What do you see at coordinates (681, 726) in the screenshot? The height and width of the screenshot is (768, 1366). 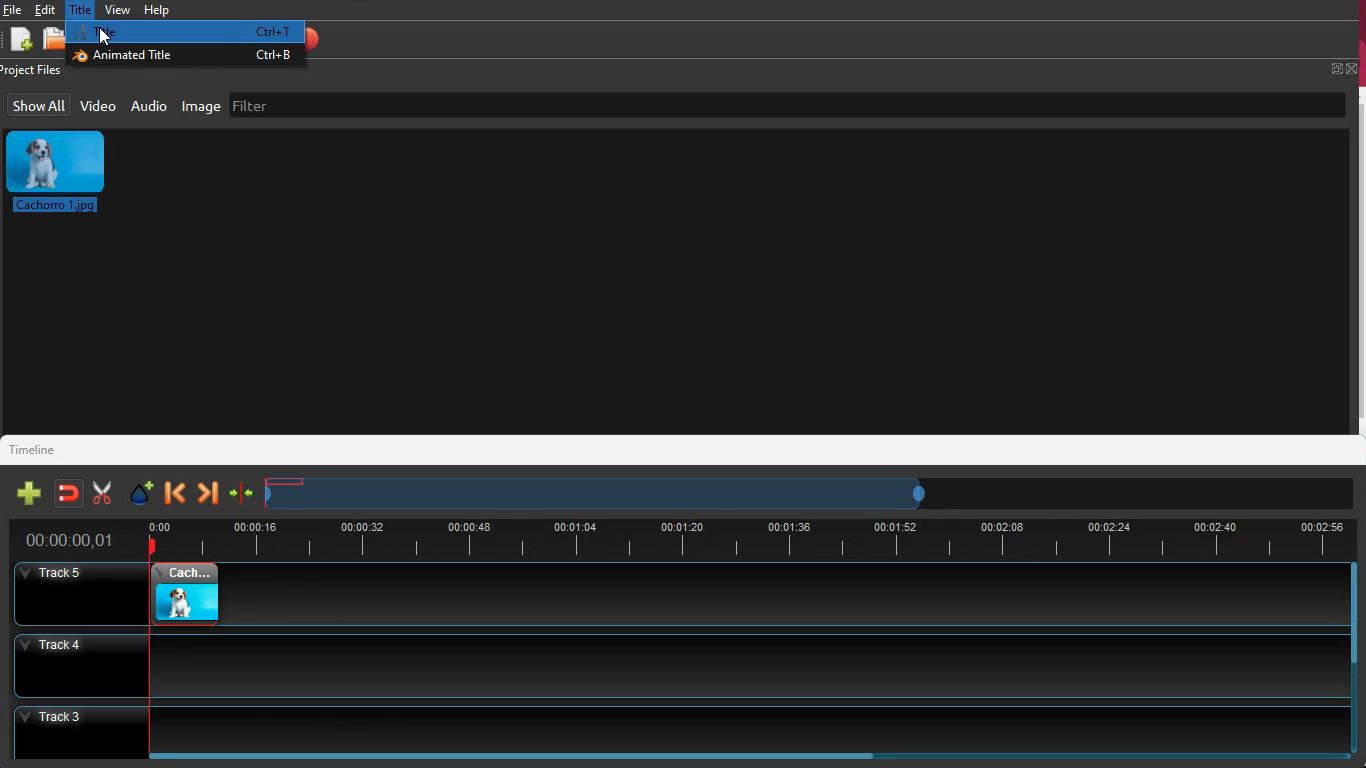 I see `Track 3` at bounding box center [681, 726].